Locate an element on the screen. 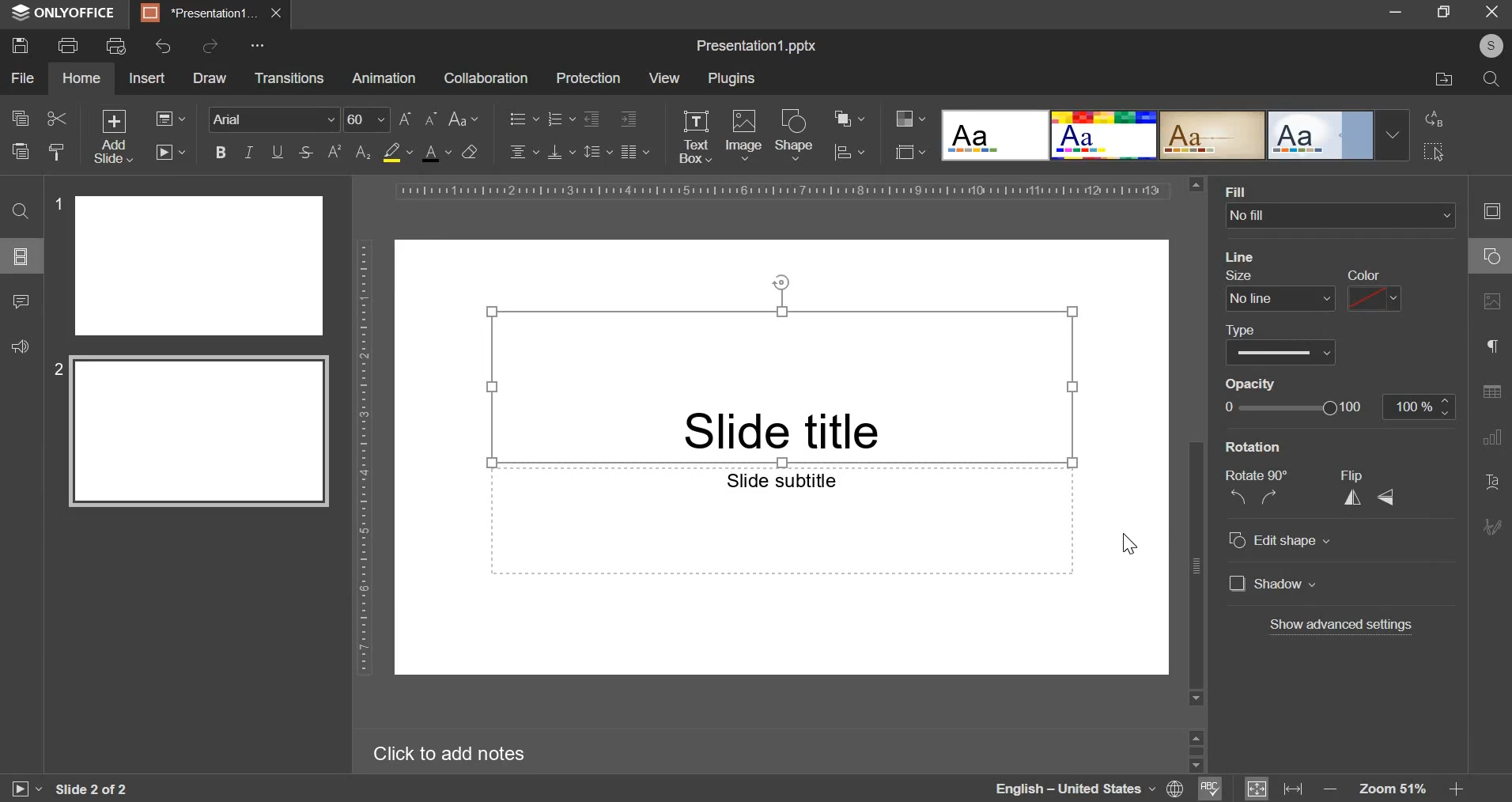  flip is located at coordinates (1355, 474).